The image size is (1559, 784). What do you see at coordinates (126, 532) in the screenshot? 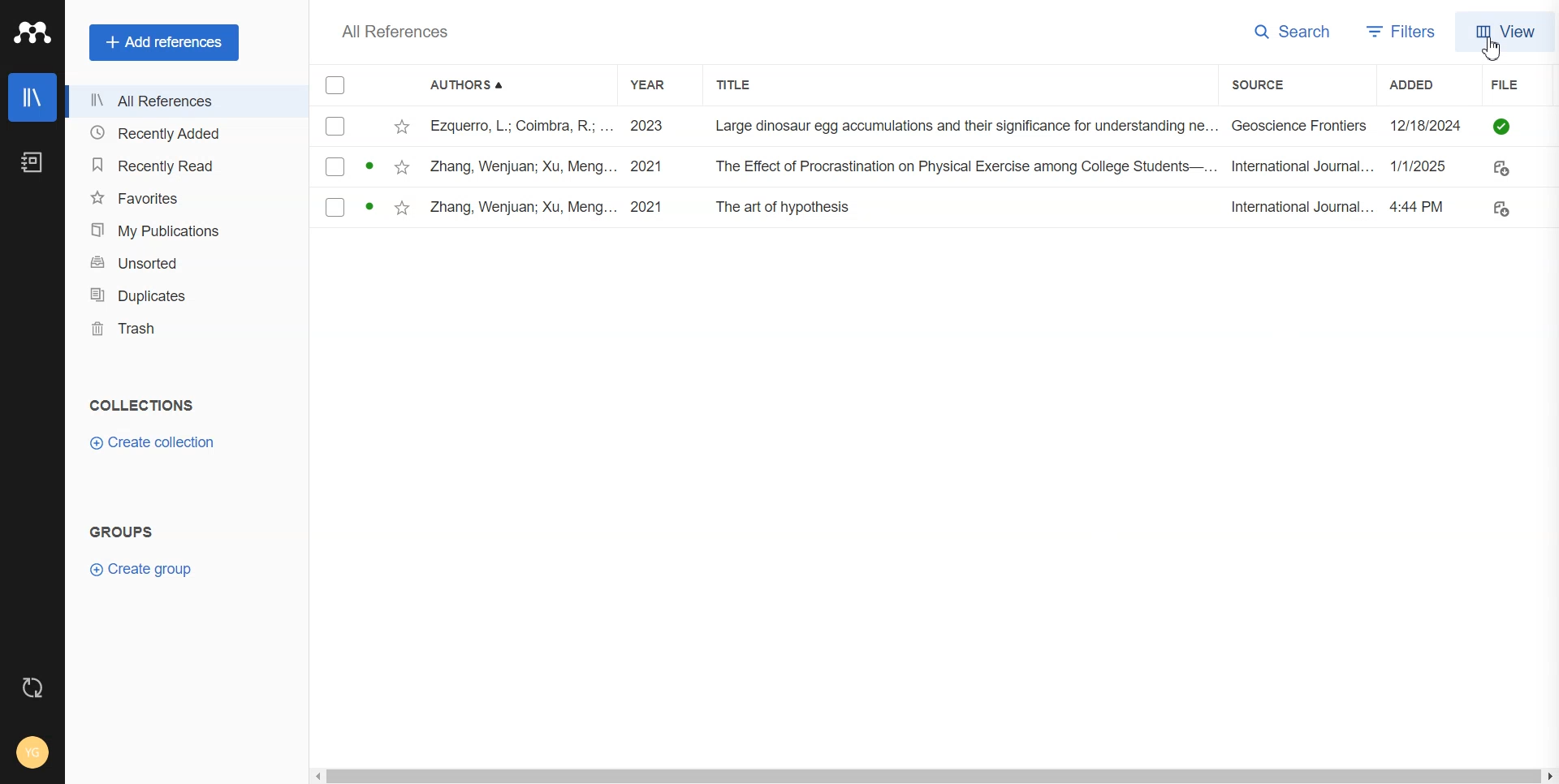
I see `Text` at bounding box center [126, 532].